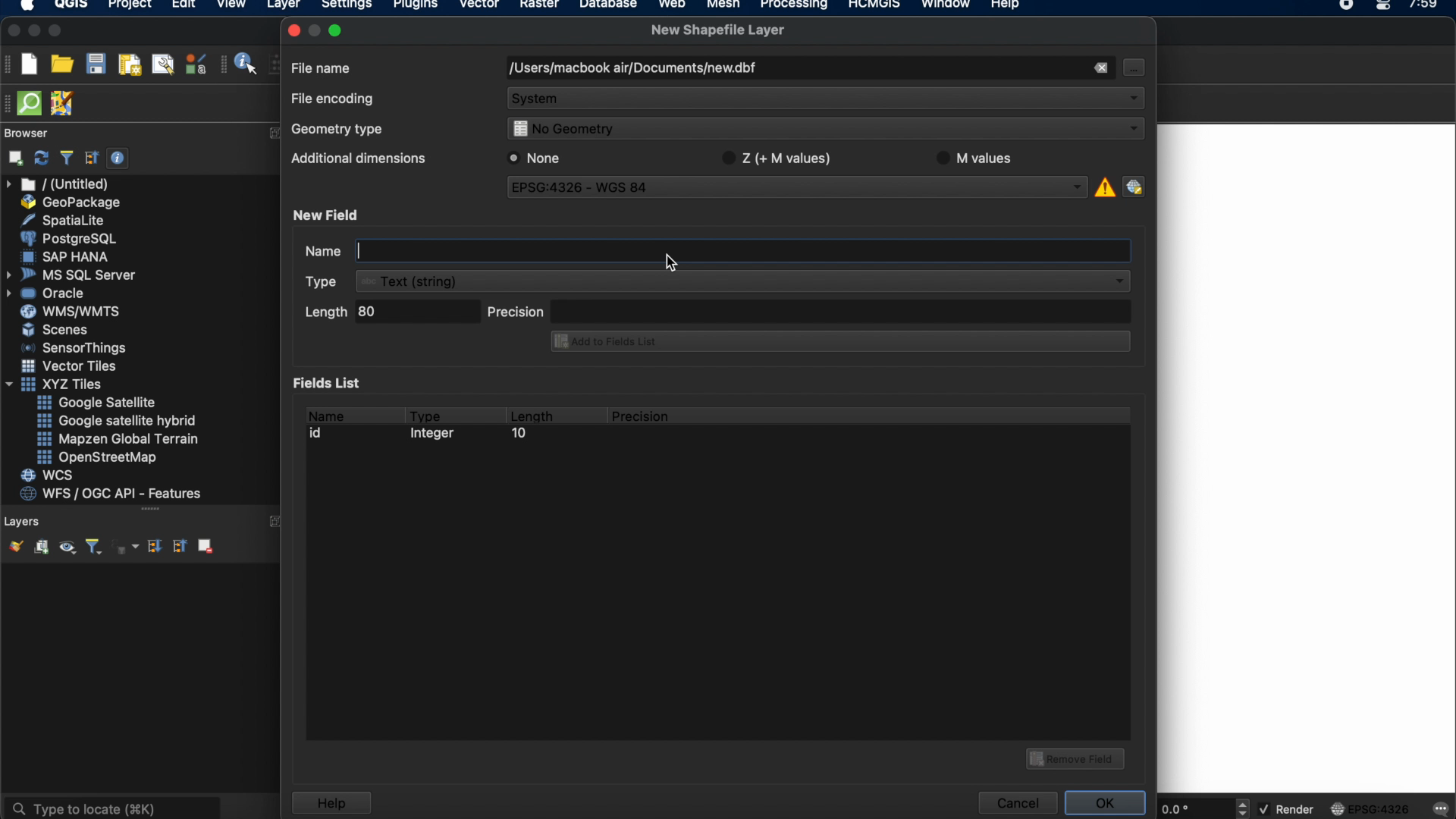 The image size is (1456, 819). What do you see at coordinates (74, 348) in the screenshot?
I see `sensorthings` at bounding box center [74, 348].